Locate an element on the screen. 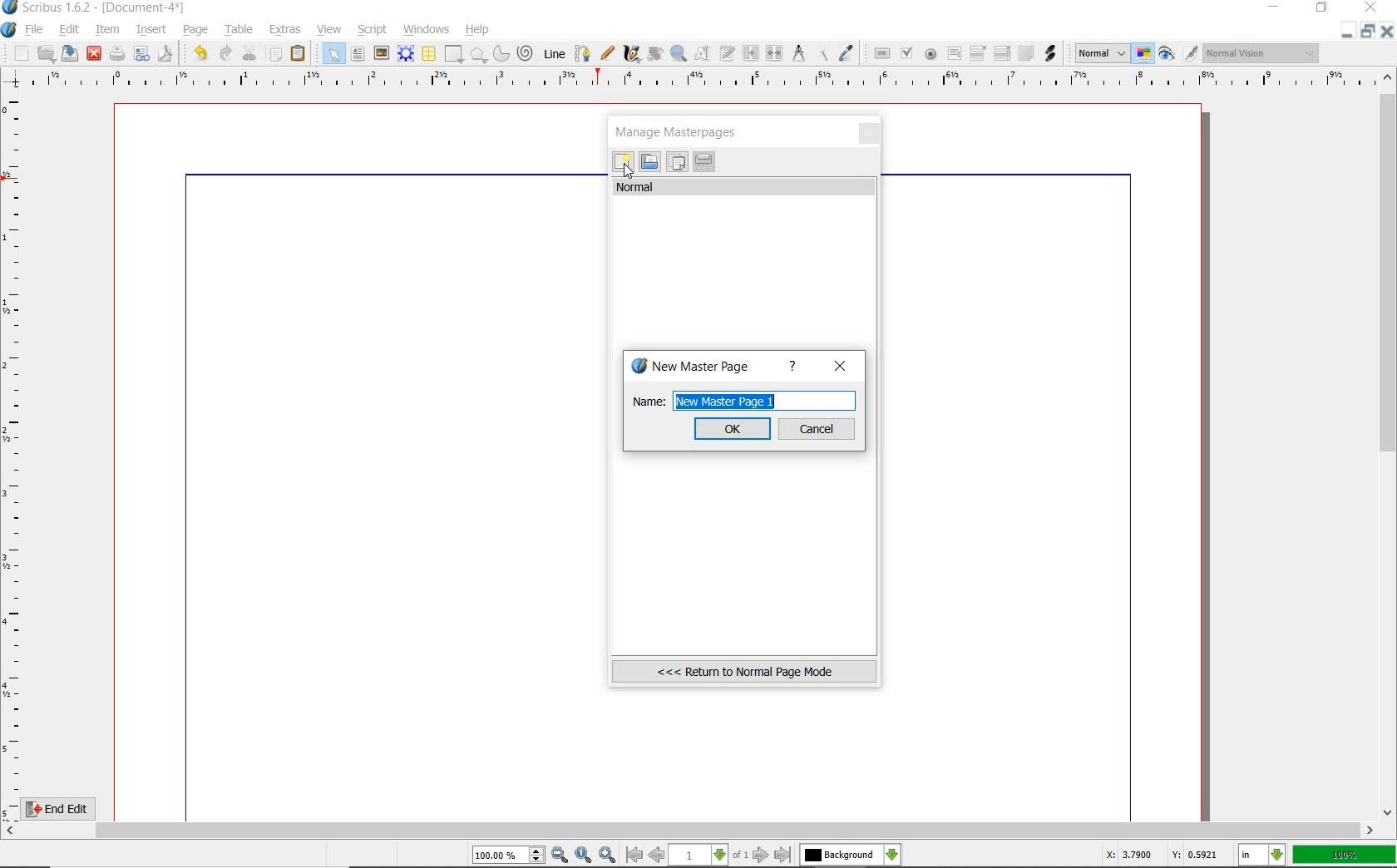  open is located at coordinates (47, 53).